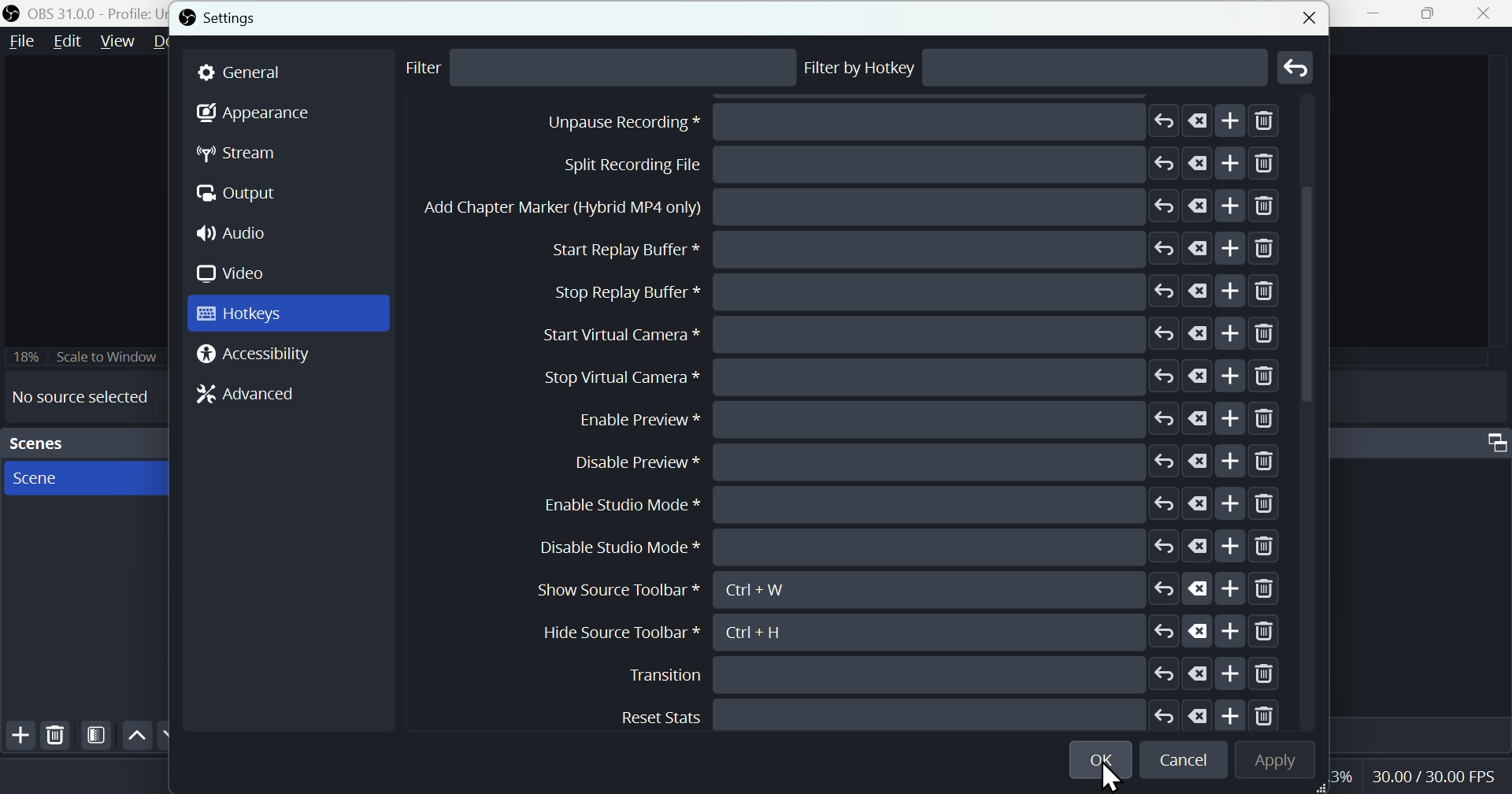 This screenshot has width=1512, height=794. What do you see at coordinates (917, 713) in the screenshot?
I see `Enable studio mode` at bounding box center [917, 713].